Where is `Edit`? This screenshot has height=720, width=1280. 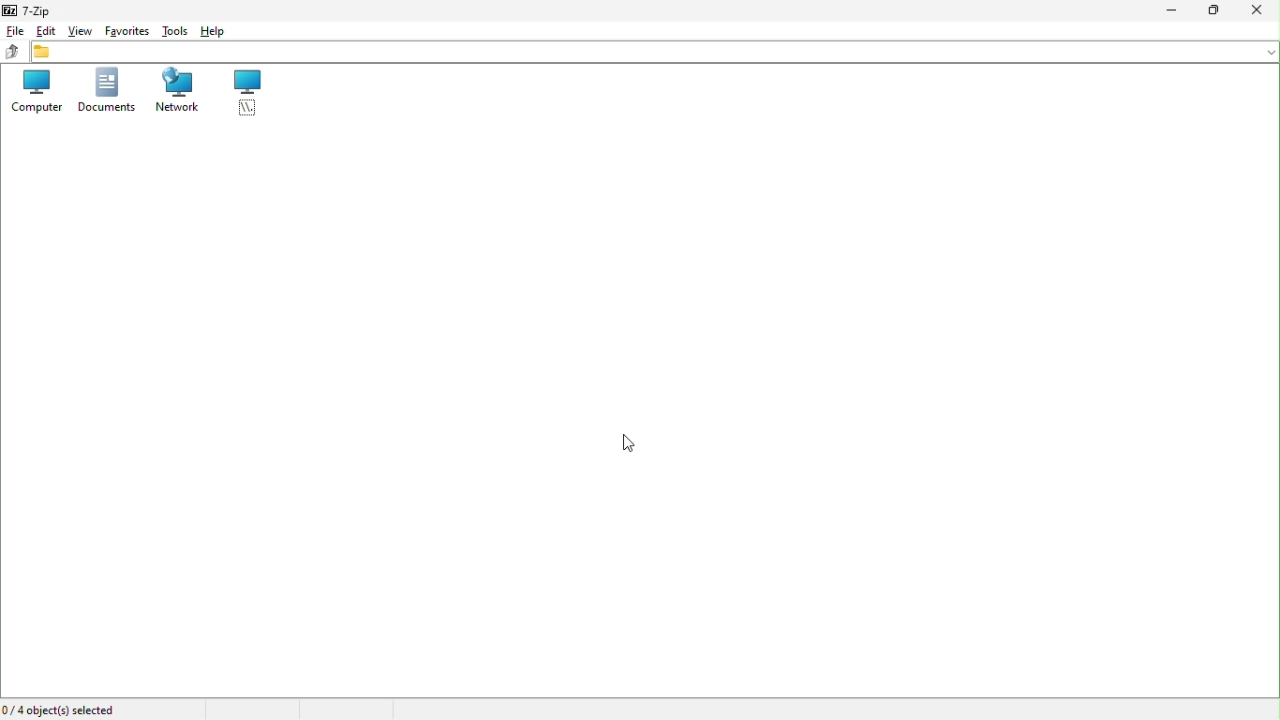
Edit is located at coordinates (44, 30).